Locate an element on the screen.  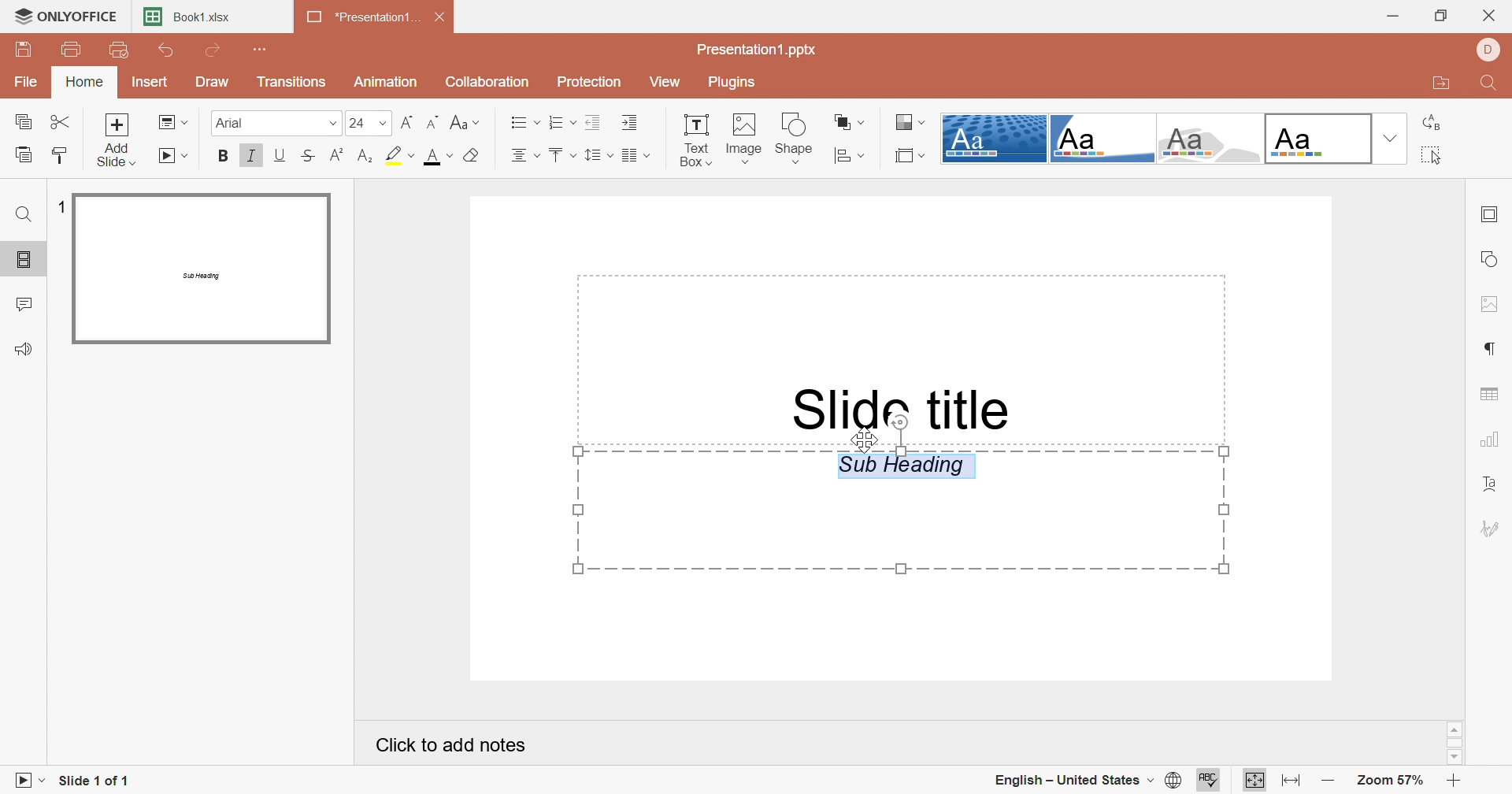
Strikethrough is located at coordinates (309, 155).